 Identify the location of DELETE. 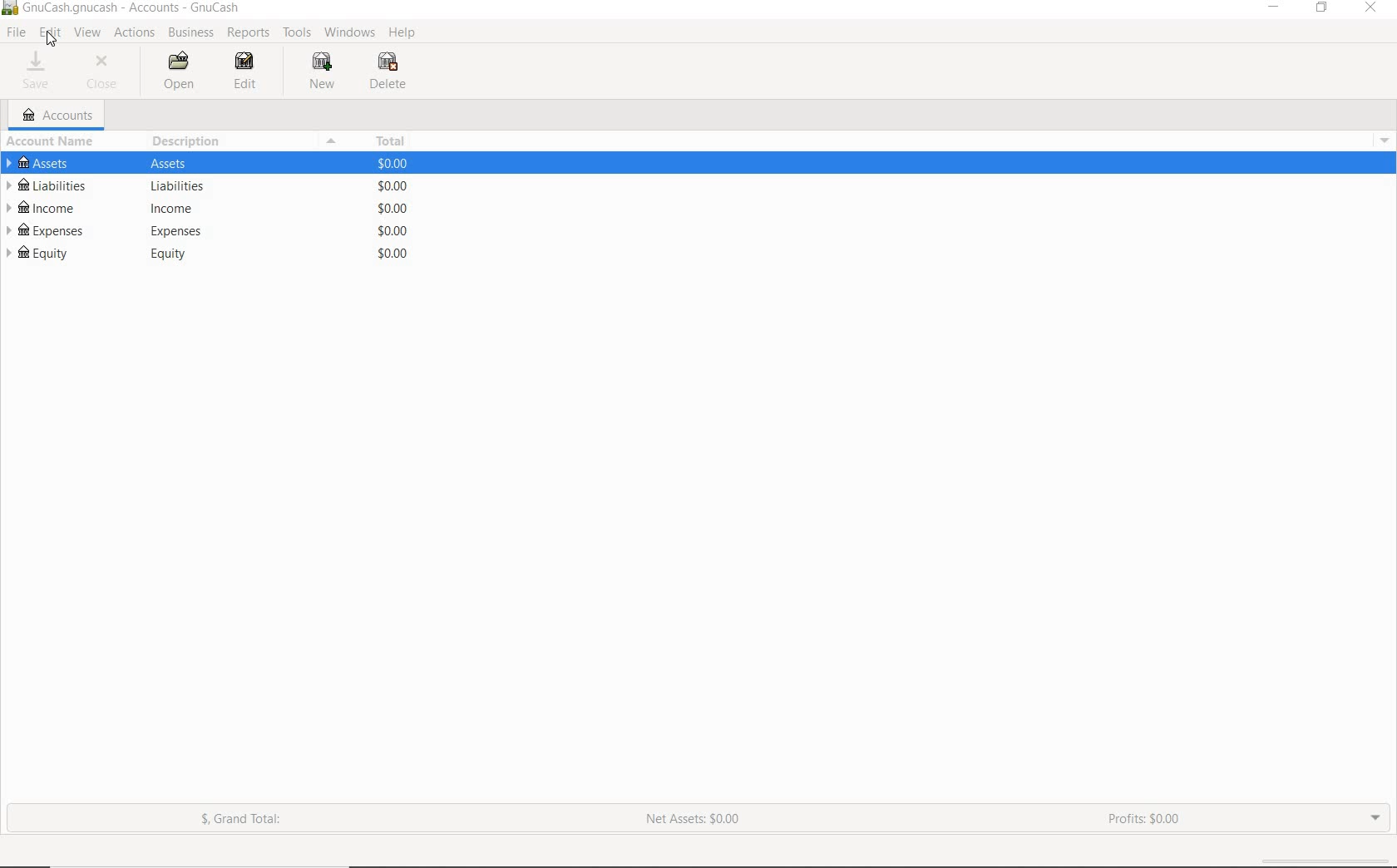
(391, 72).